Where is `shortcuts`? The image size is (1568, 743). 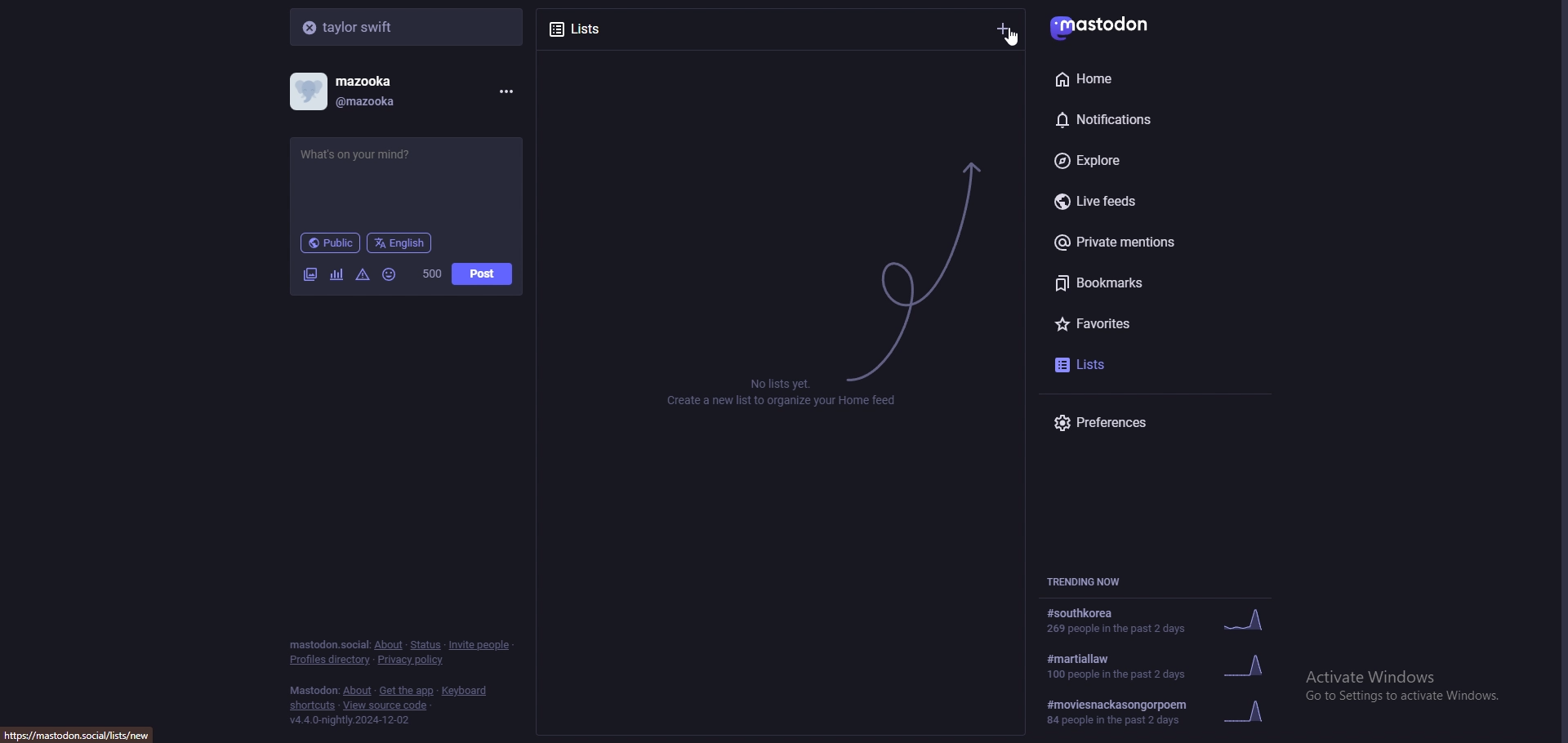
shortcuts is located at coordinates (313, 707).